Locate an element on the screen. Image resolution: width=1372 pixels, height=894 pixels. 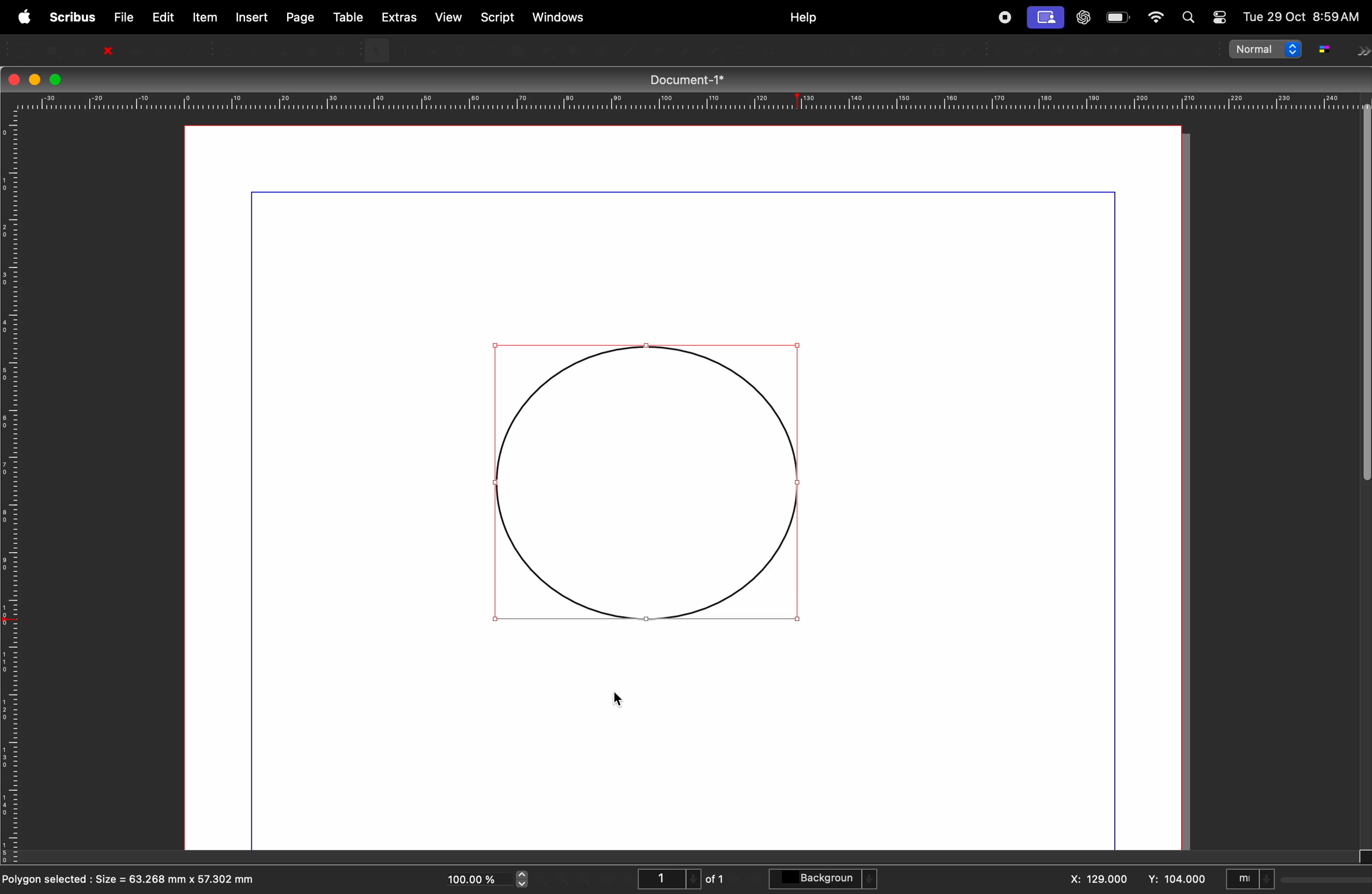
minimize is located at coordinates (33, 78).